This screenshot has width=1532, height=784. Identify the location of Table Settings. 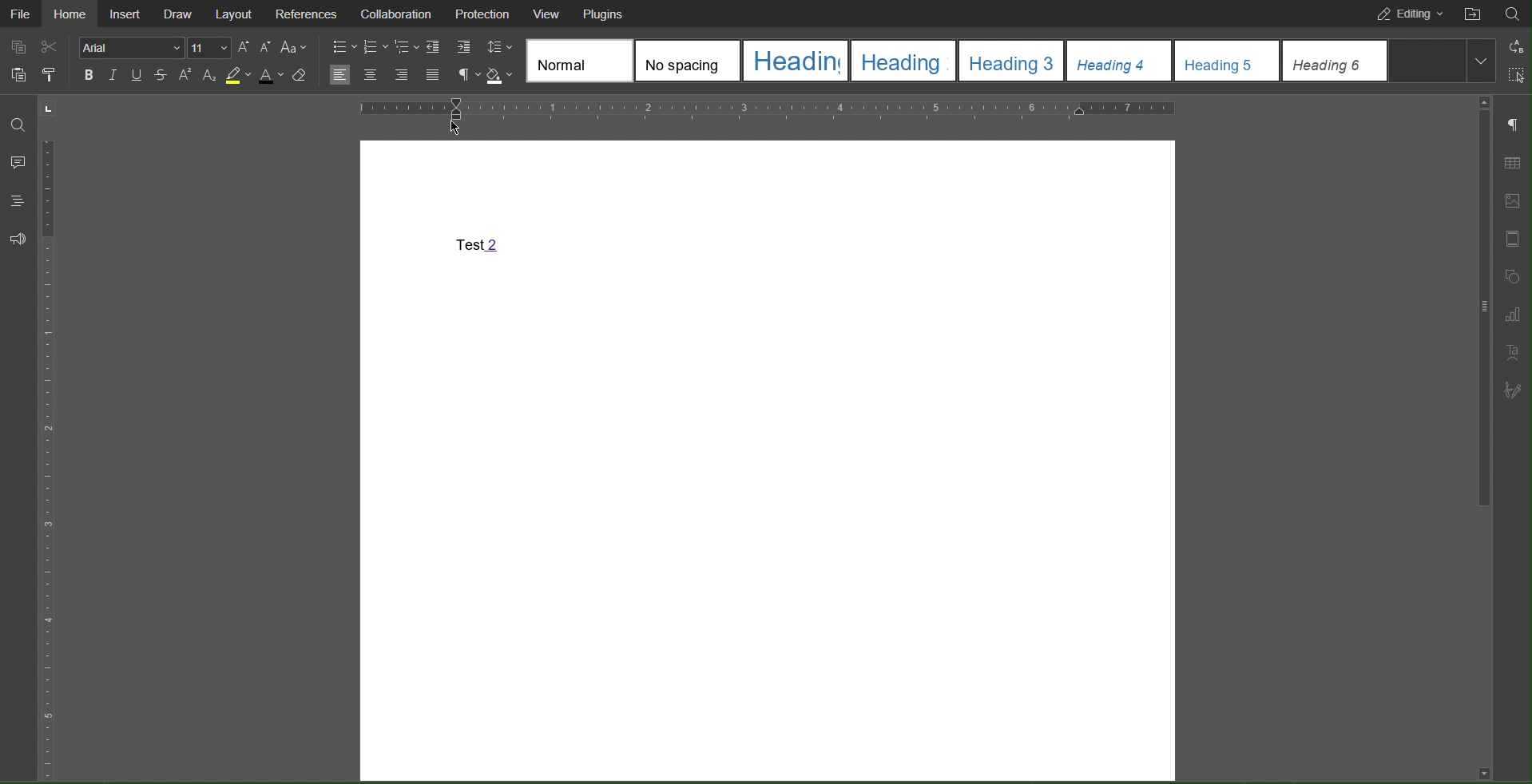
(1516, 164).